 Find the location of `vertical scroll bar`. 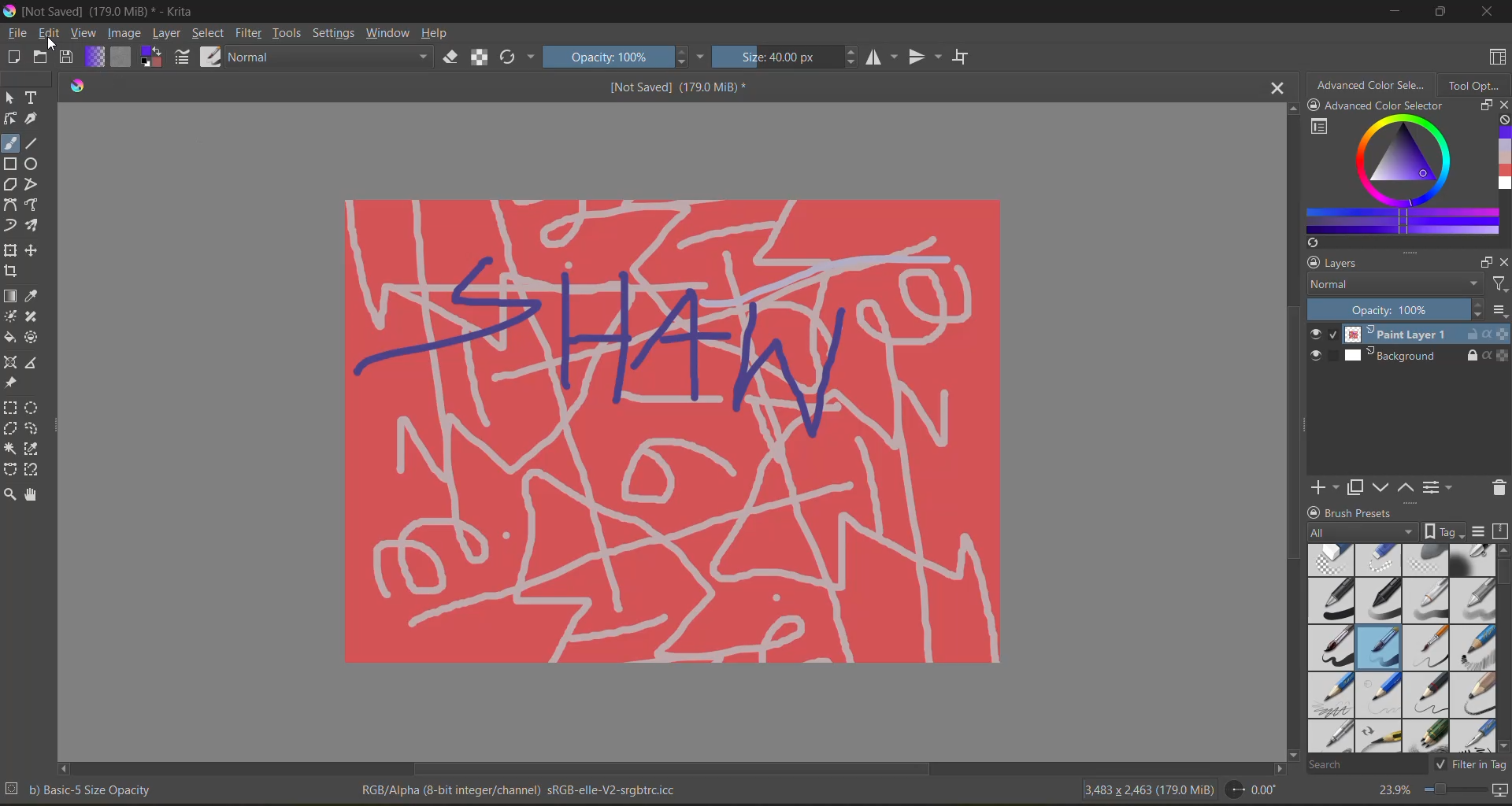

vertical scroll bar is located at coordinates (1291, 441).